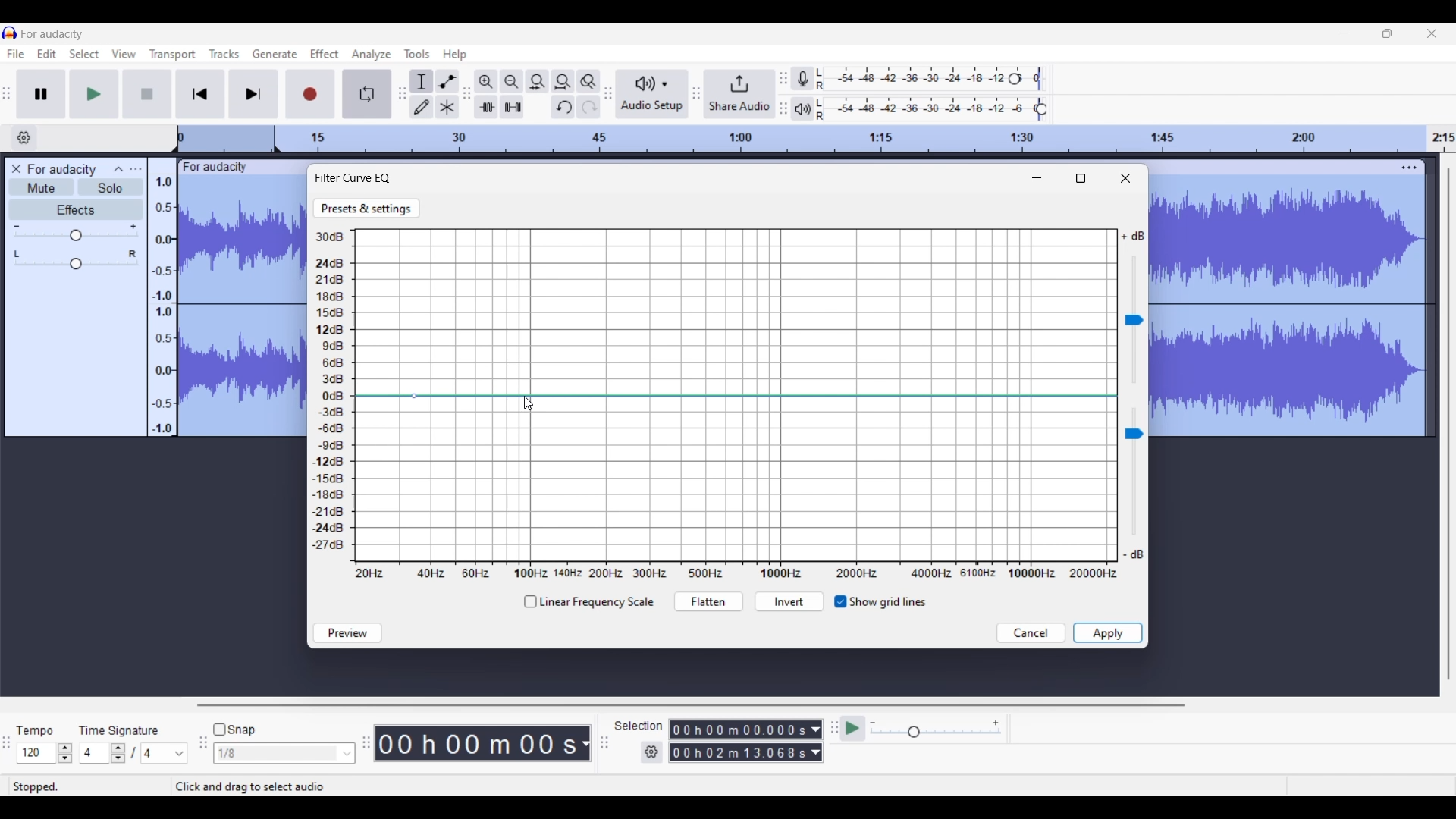  Describe the element at coordinates (854, 729) in the screenshot. I see `Play-at-speed/Play-at-speed once` at that location.